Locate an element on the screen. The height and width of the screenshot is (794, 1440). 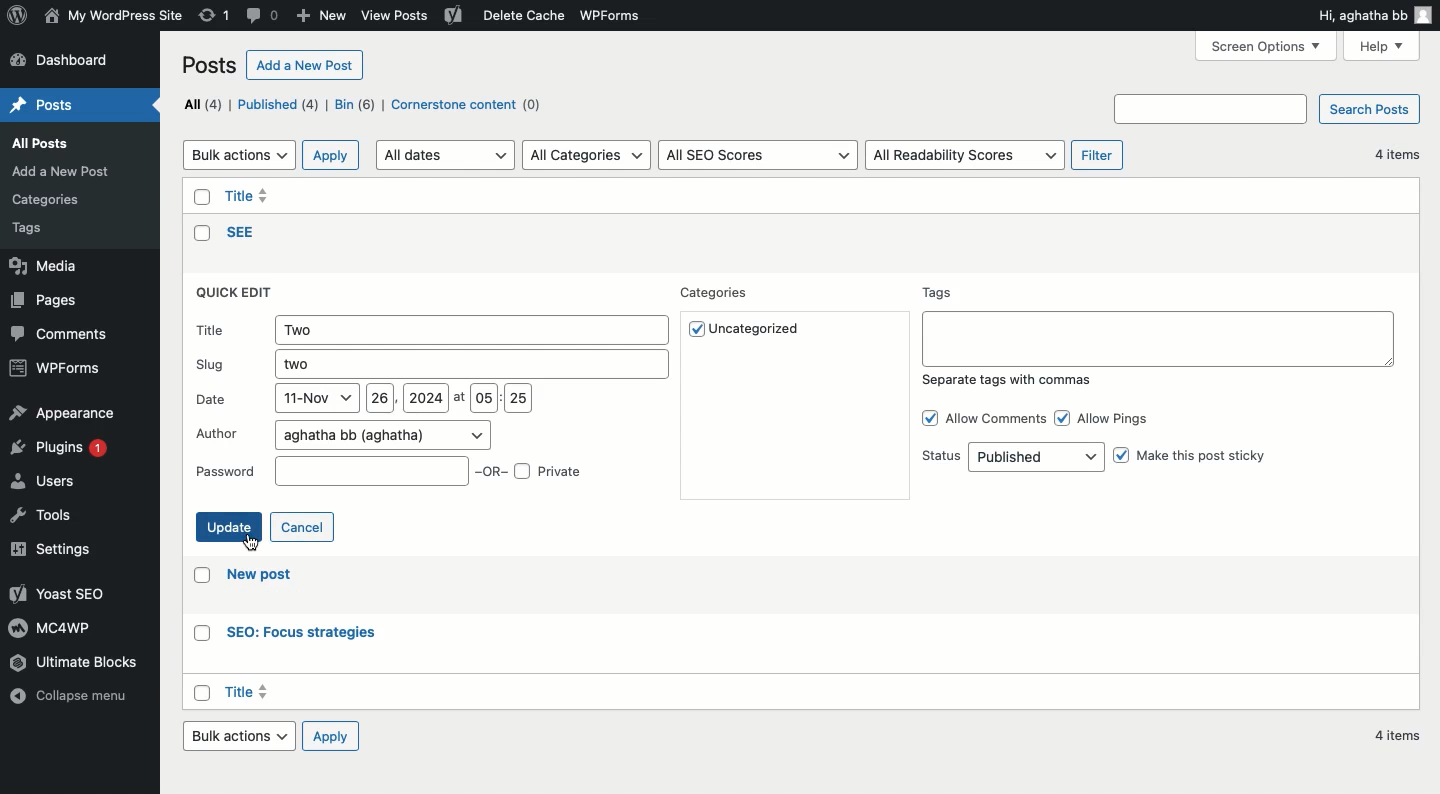
Checkbox is located at coordinates (199, 234).